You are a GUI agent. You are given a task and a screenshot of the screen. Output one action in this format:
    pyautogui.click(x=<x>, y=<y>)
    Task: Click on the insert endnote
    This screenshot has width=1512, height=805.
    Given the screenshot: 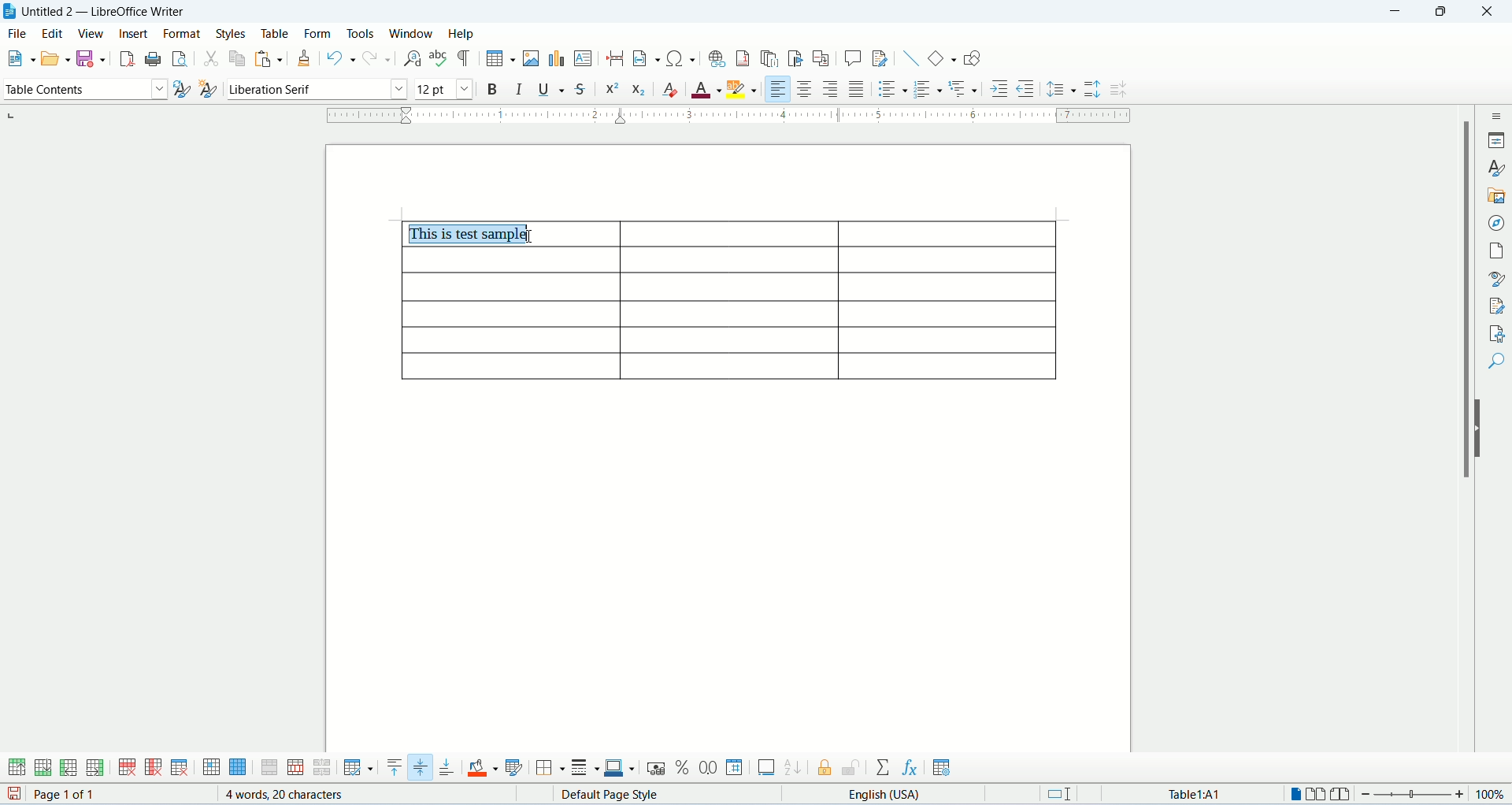 What is the action you would take?
    pyautogui.click(x=770, y=59)
    